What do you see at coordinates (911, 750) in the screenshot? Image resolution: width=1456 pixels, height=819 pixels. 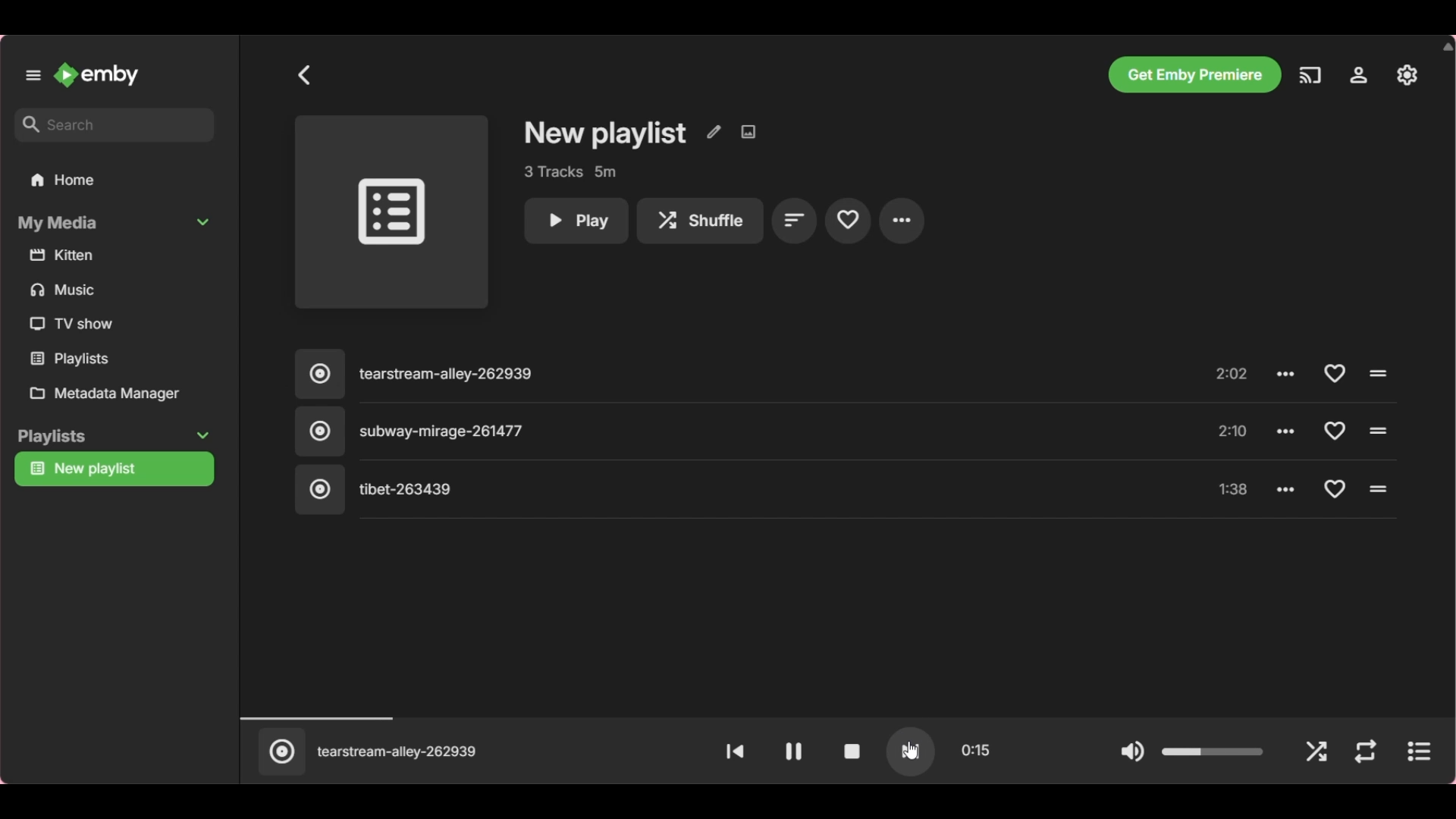 I see ` play next song` at bounding box center [911, 750].